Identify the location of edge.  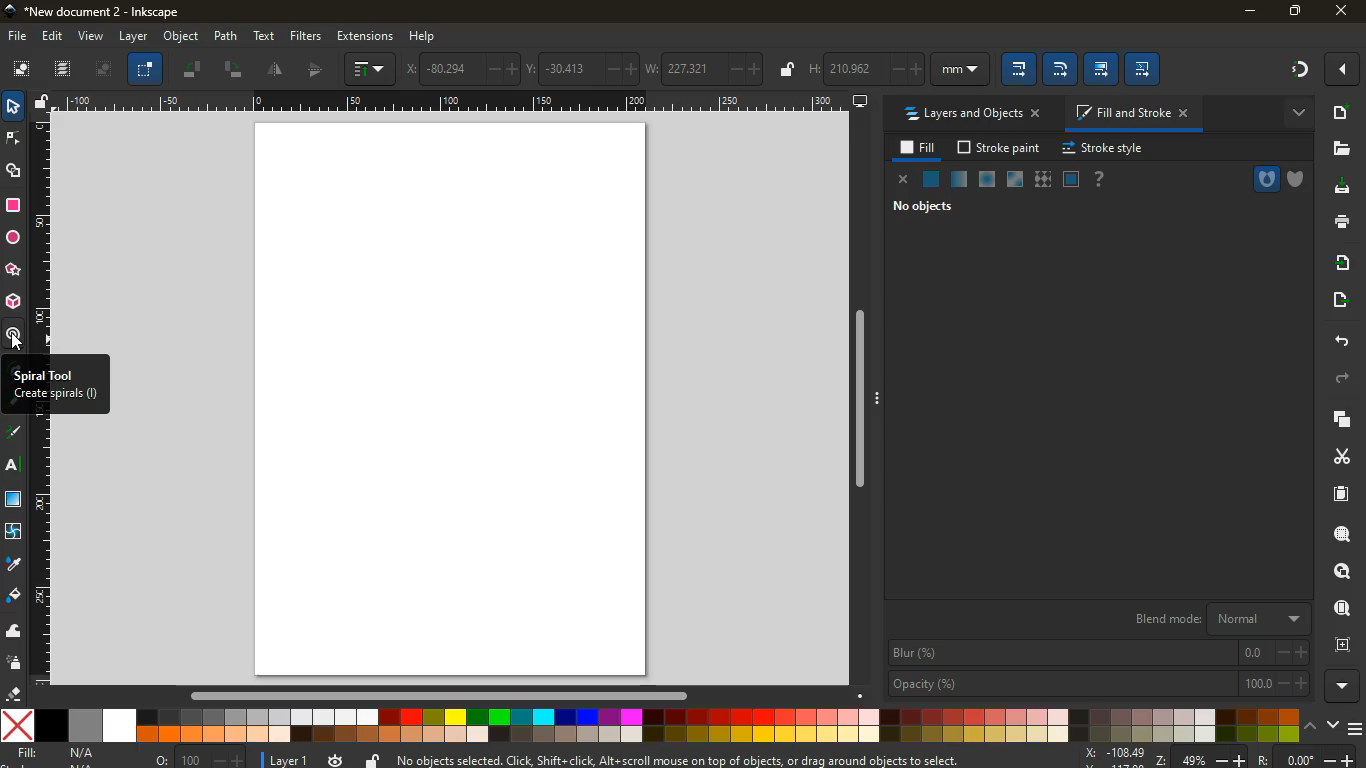
(12, 141).